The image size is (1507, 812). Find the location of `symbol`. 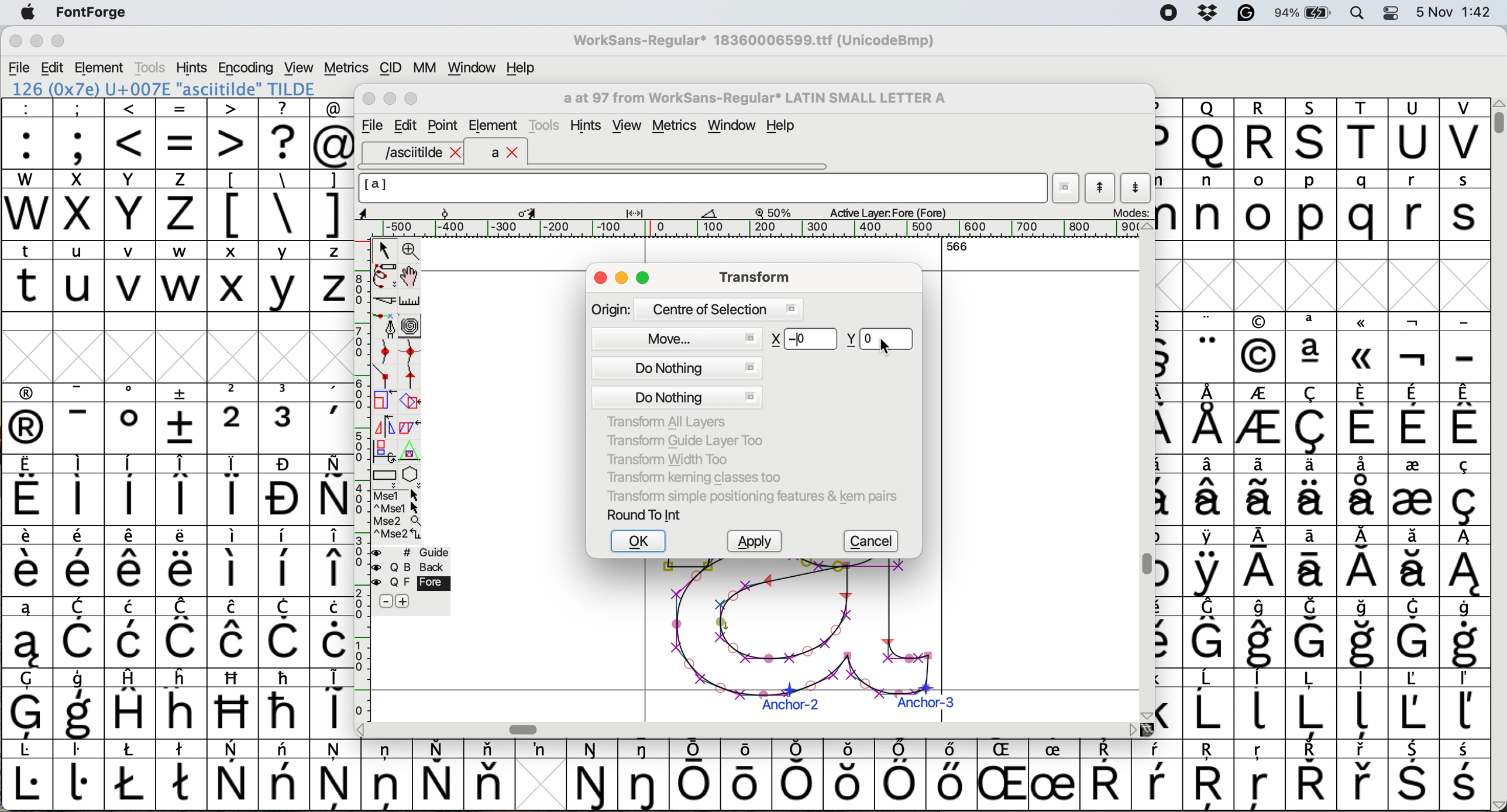

symbol is located at coordinates (234, 776).